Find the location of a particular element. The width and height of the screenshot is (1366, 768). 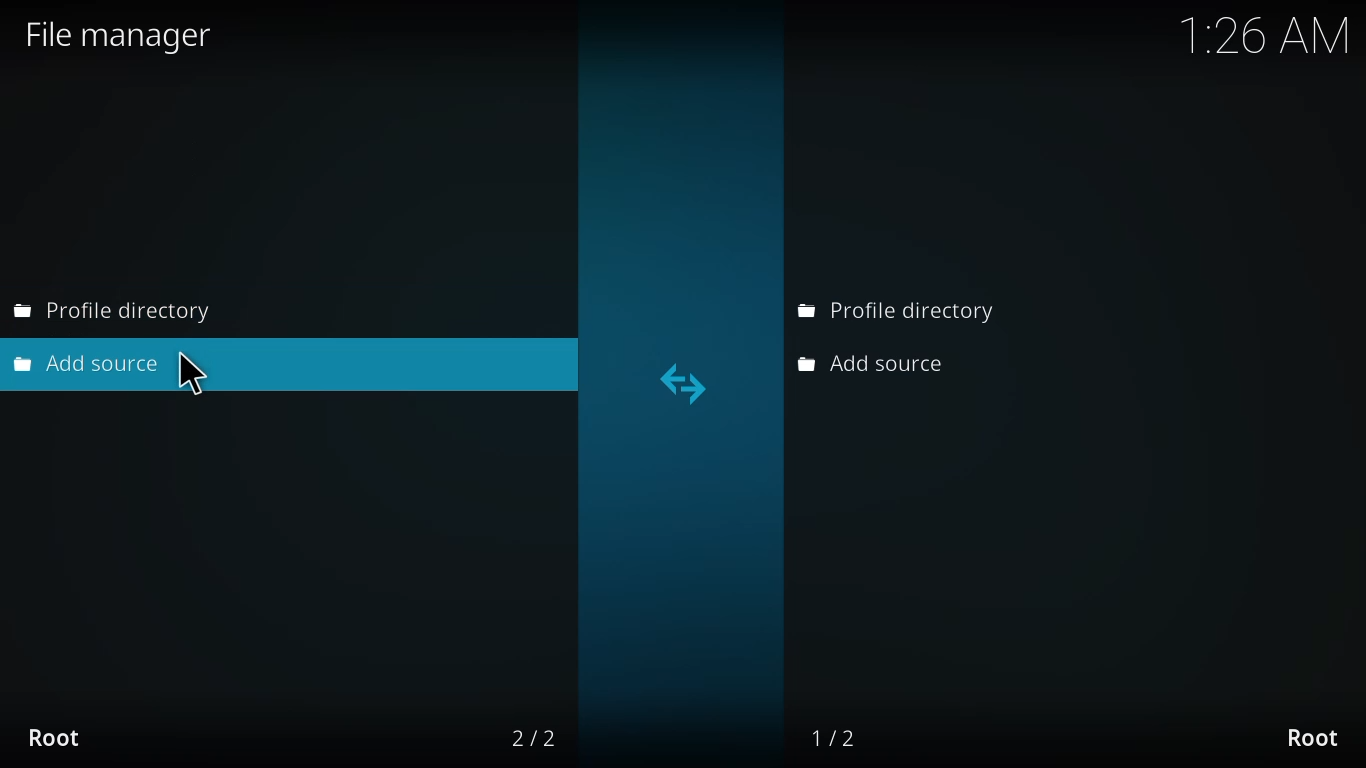

2/2 is located at coordinates (530, 739).